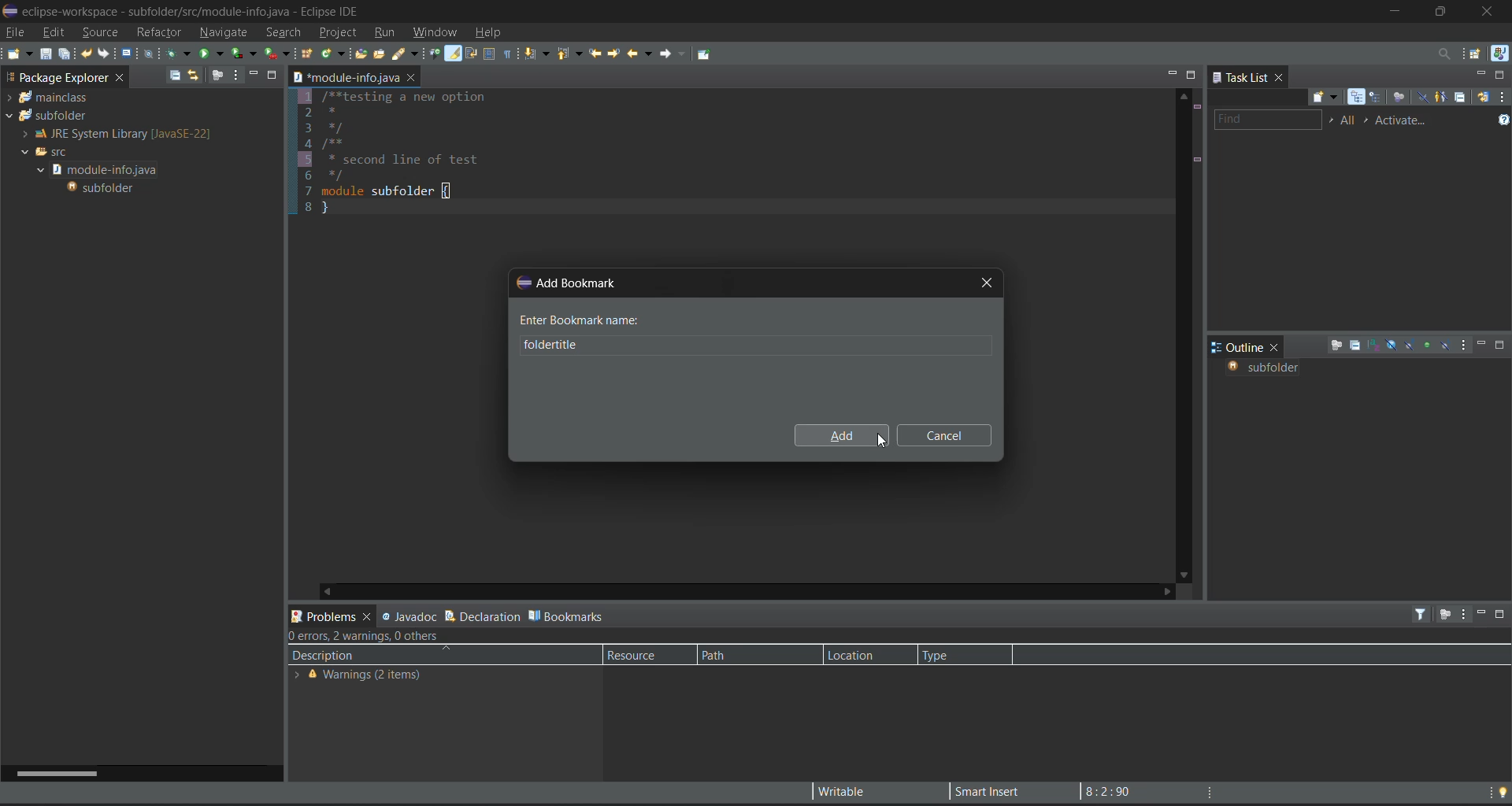 The height and width of the screenshot is (806, 1512). I want to click on help, so click(492, 34).